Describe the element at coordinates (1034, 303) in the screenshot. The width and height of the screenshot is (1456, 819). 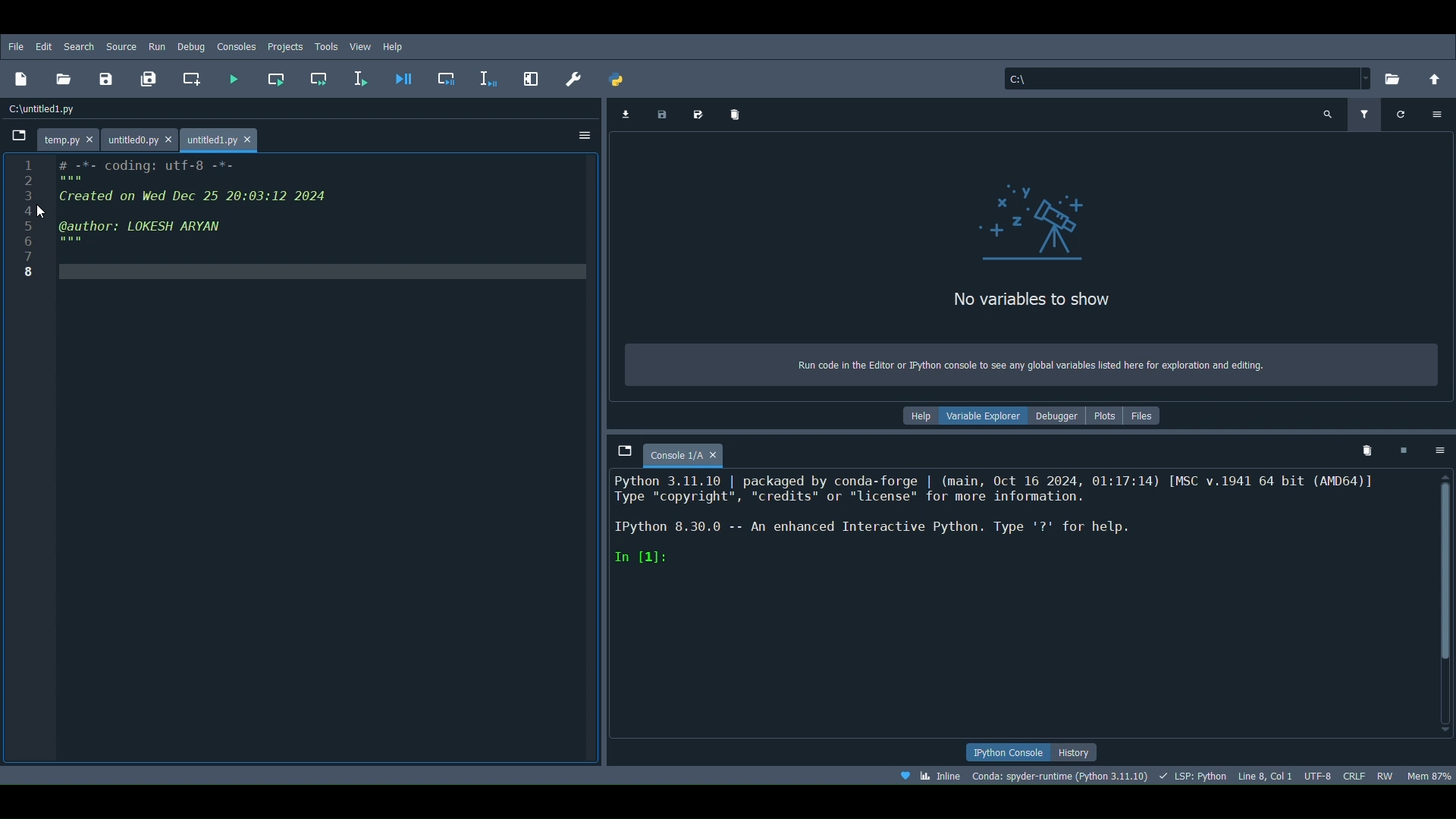
I see `No variables to show` at that location.